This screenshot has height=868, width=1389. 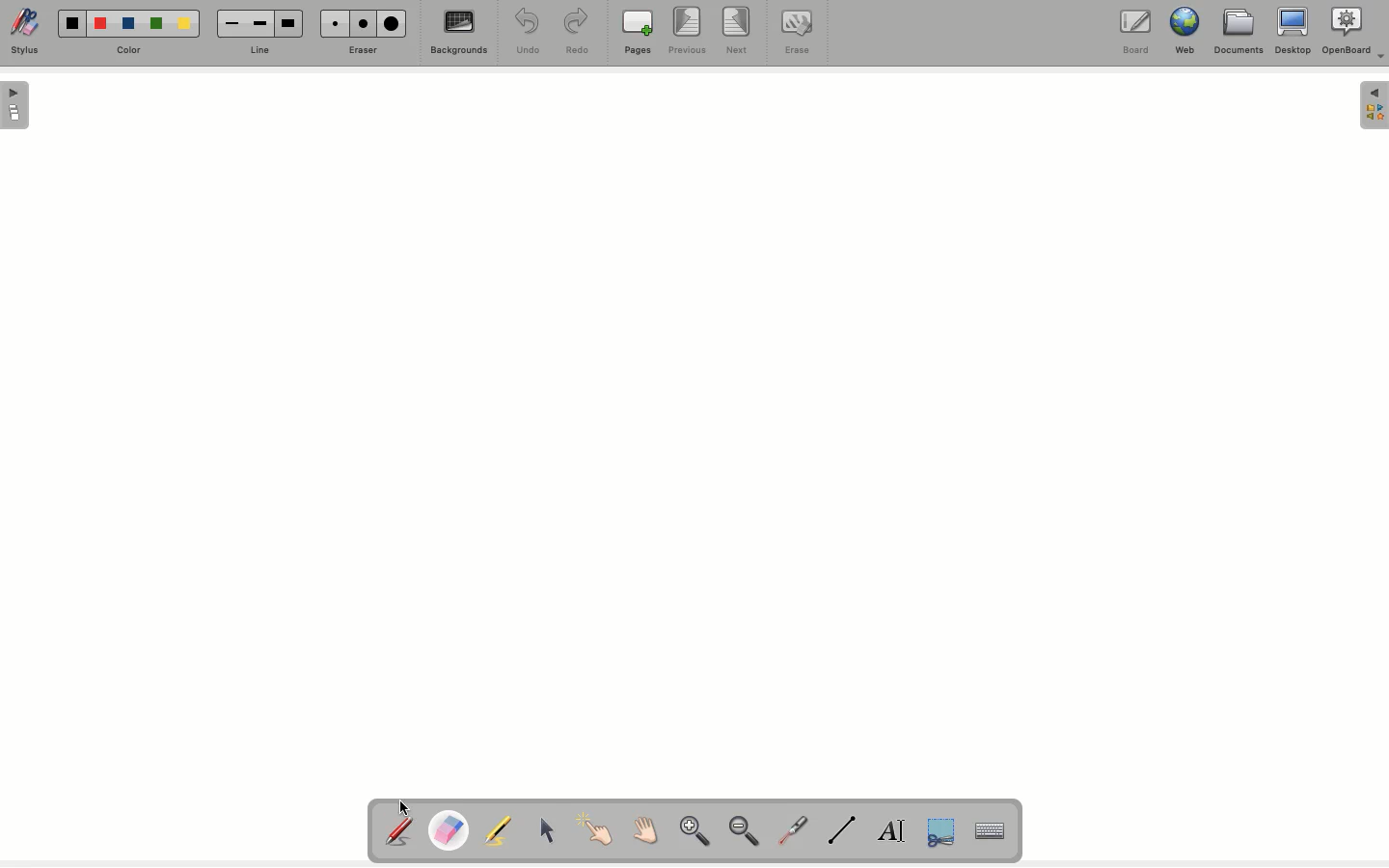 What do you see at coordinates (451, 829) in the screenshot?
I see `Eraser` at bounding box center [451, 829].